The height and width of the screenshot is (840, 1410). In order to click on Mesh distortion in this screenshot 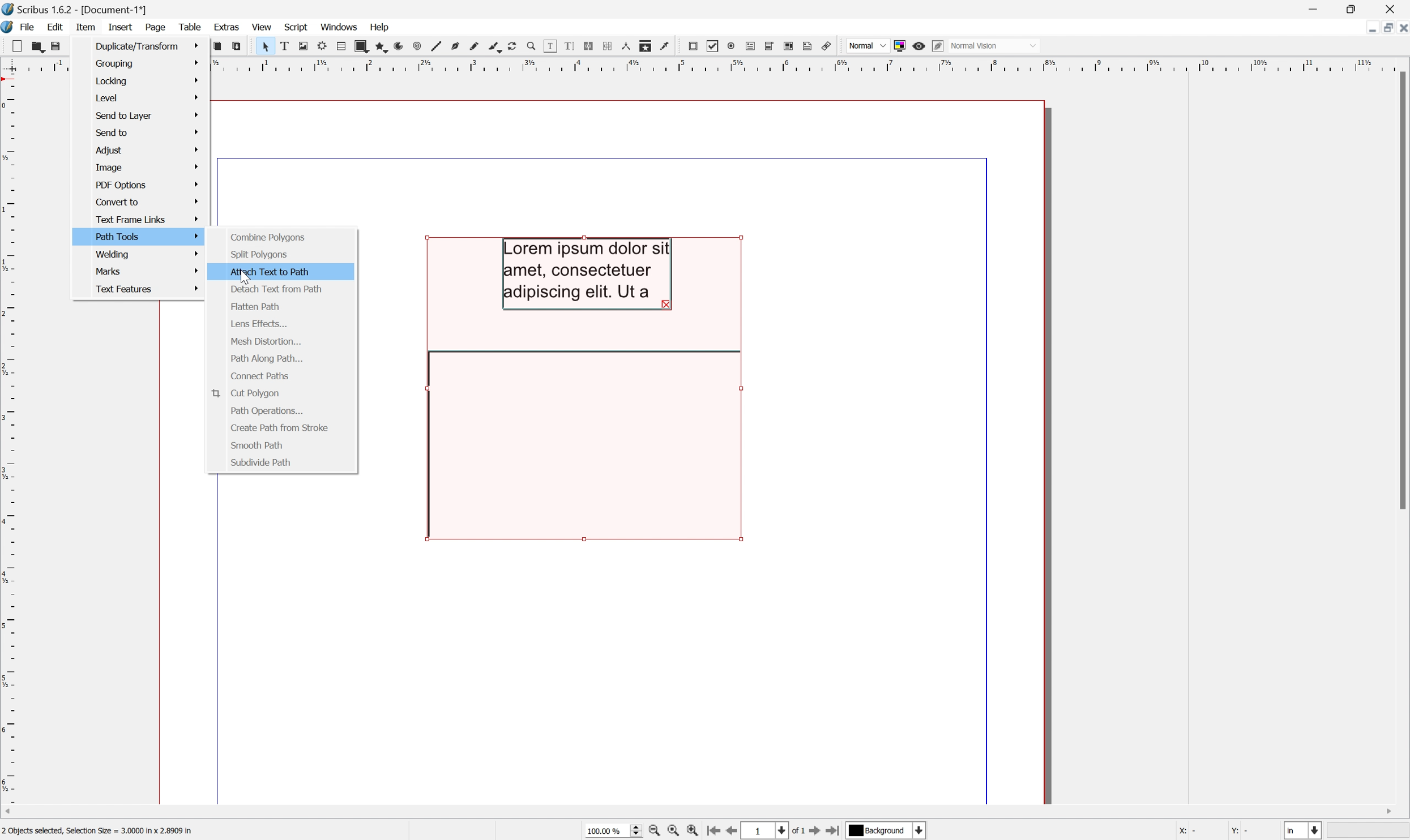, I will do `click(265, 341)`.